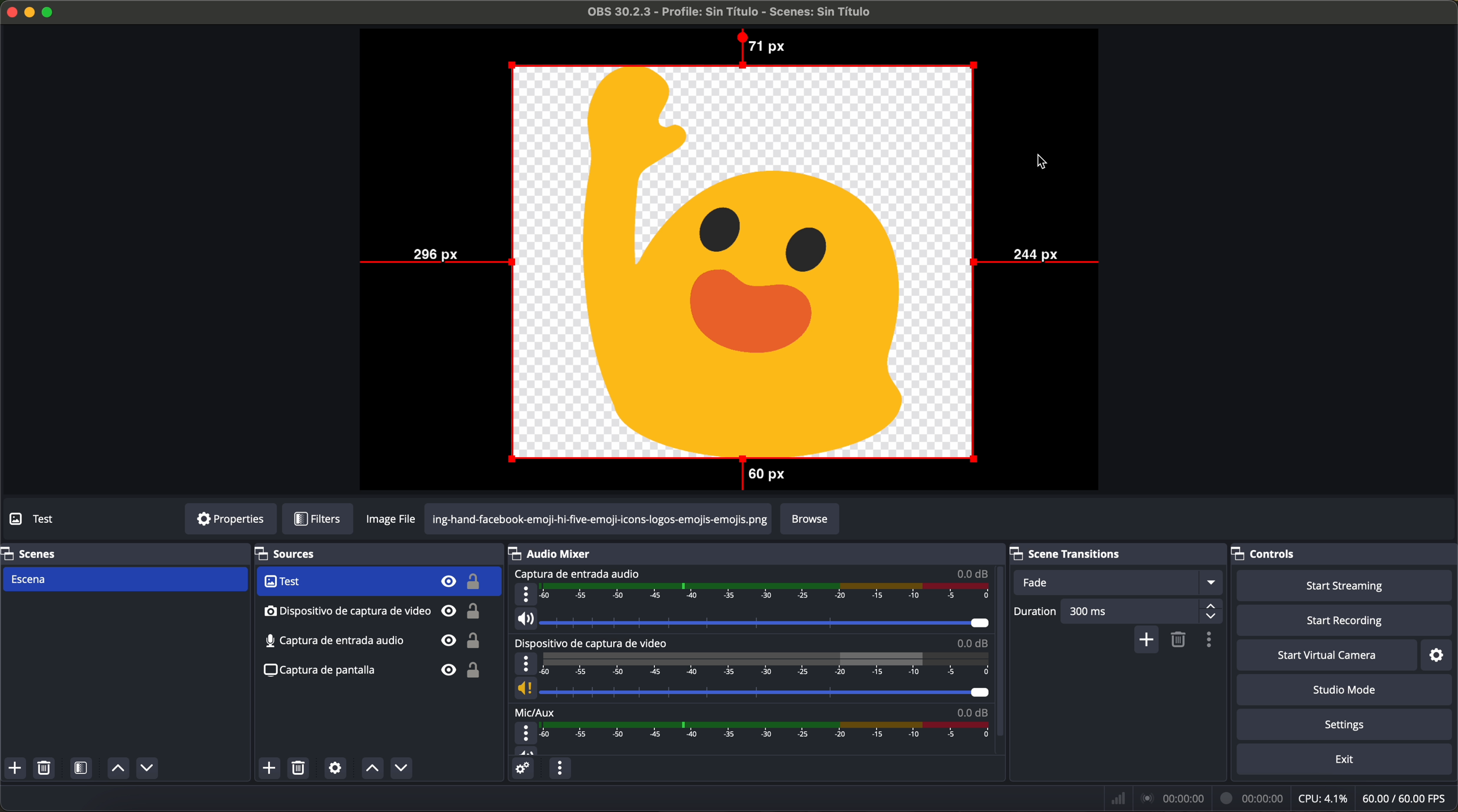  What do you see at coordinates (1346, 761) in the screenshot?
I see `exit` at bounding box center [1346, 761].